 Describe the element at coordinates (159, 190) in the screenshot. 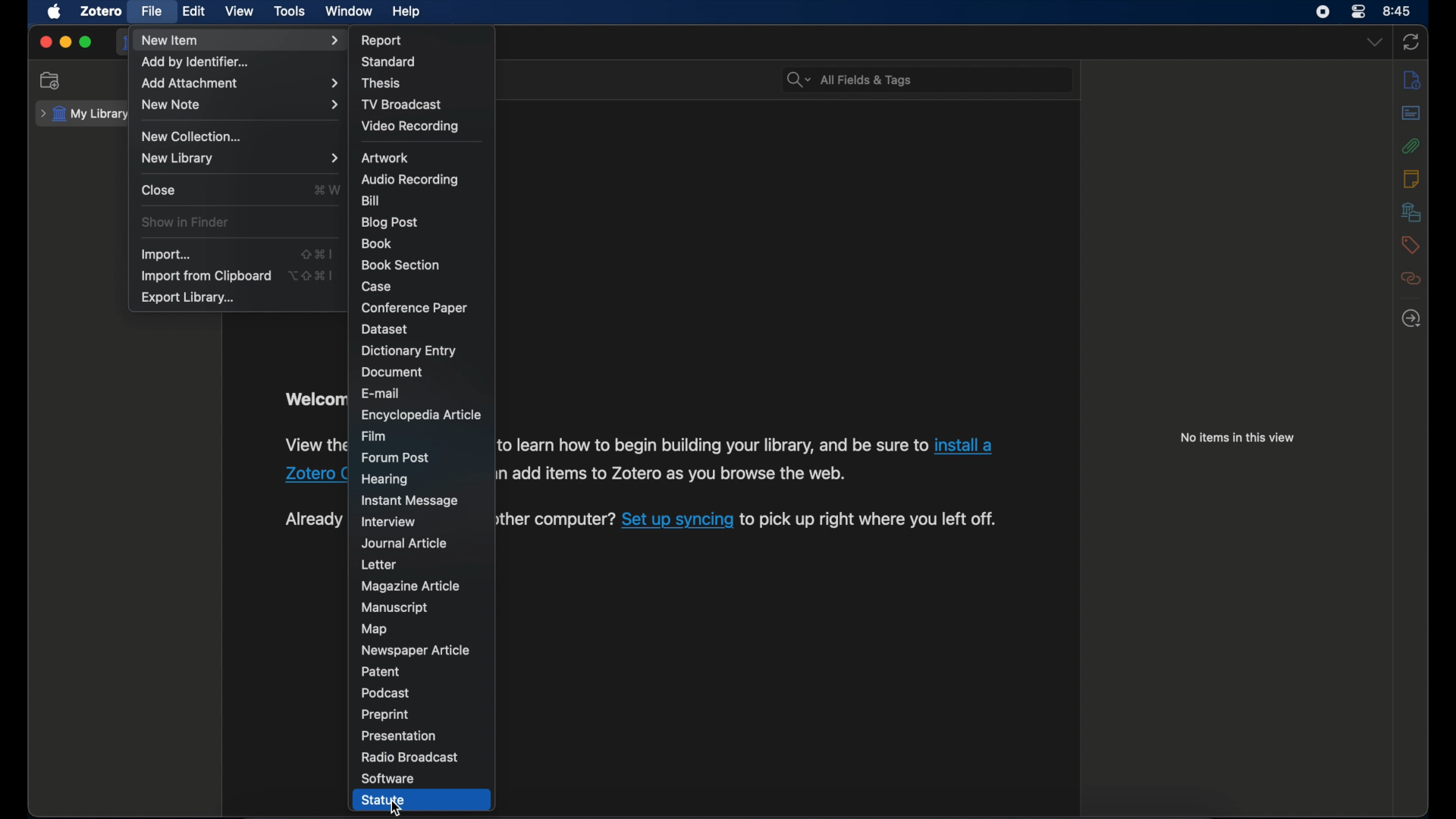

I see `close` at that location.